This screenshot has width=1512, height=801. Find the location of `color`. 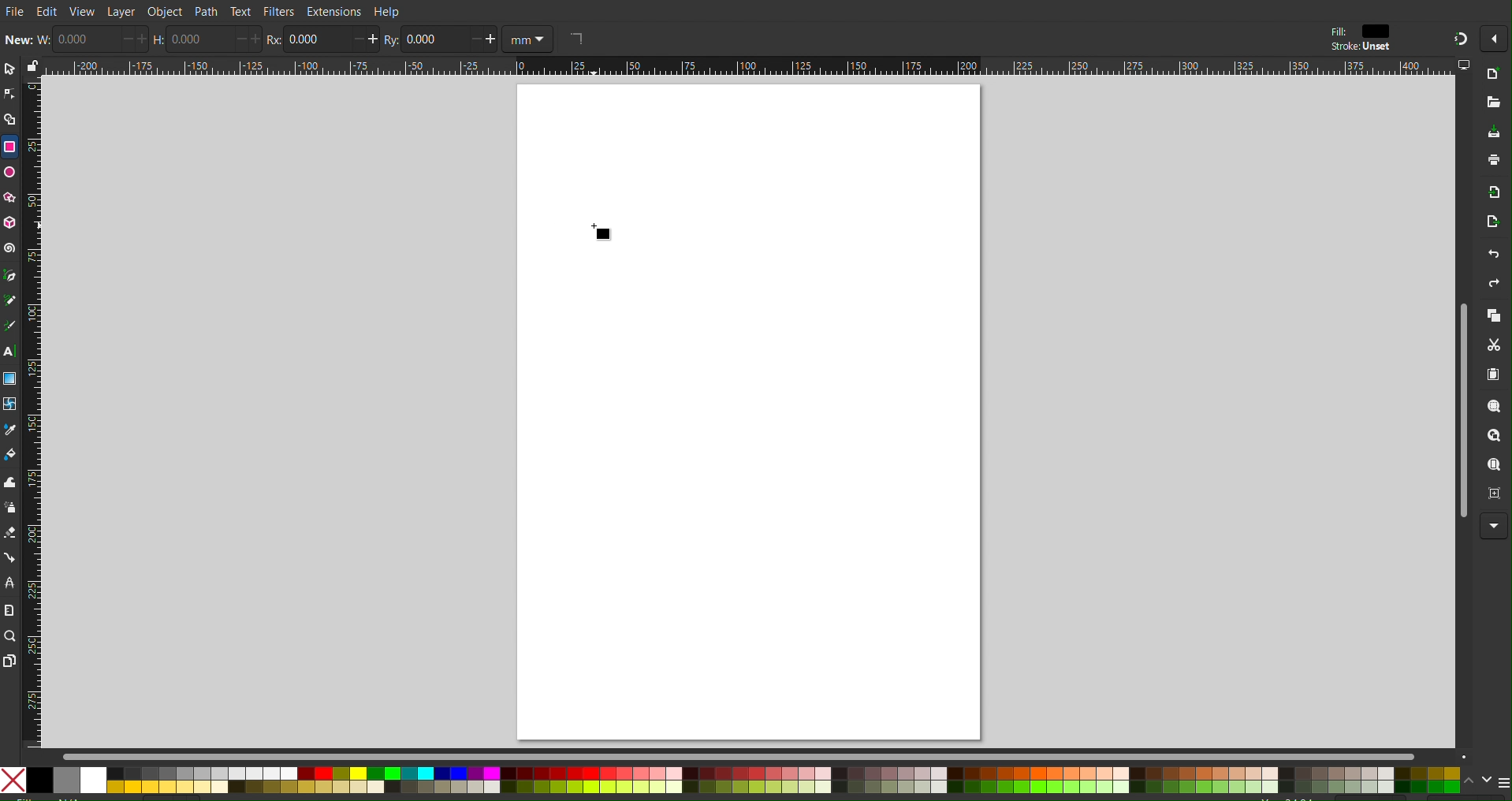

color is located at coordinates (1380, 31).